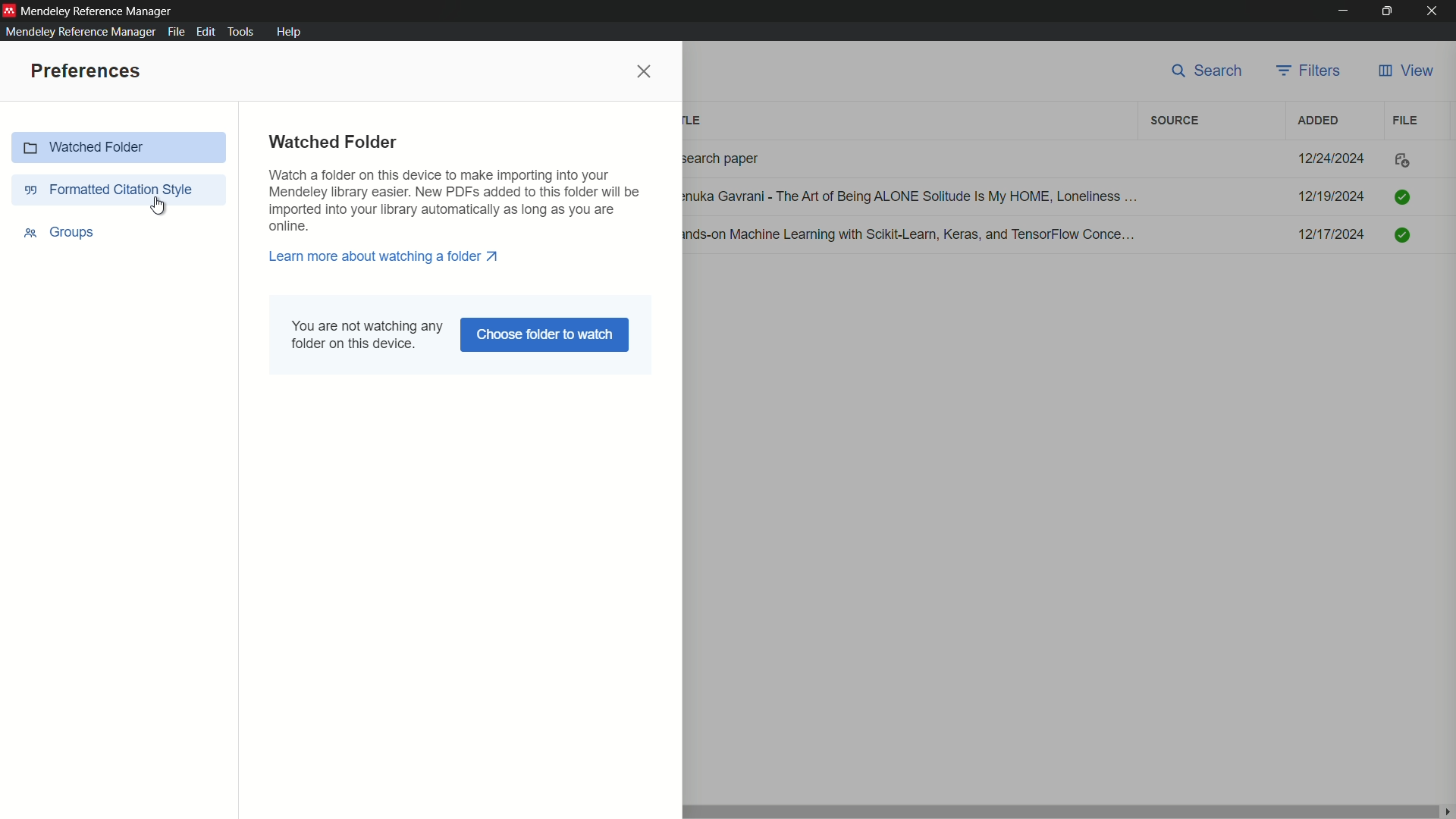 The width and height of the screenshot is (1456, 819). I want to click on text, so click(456, 201).